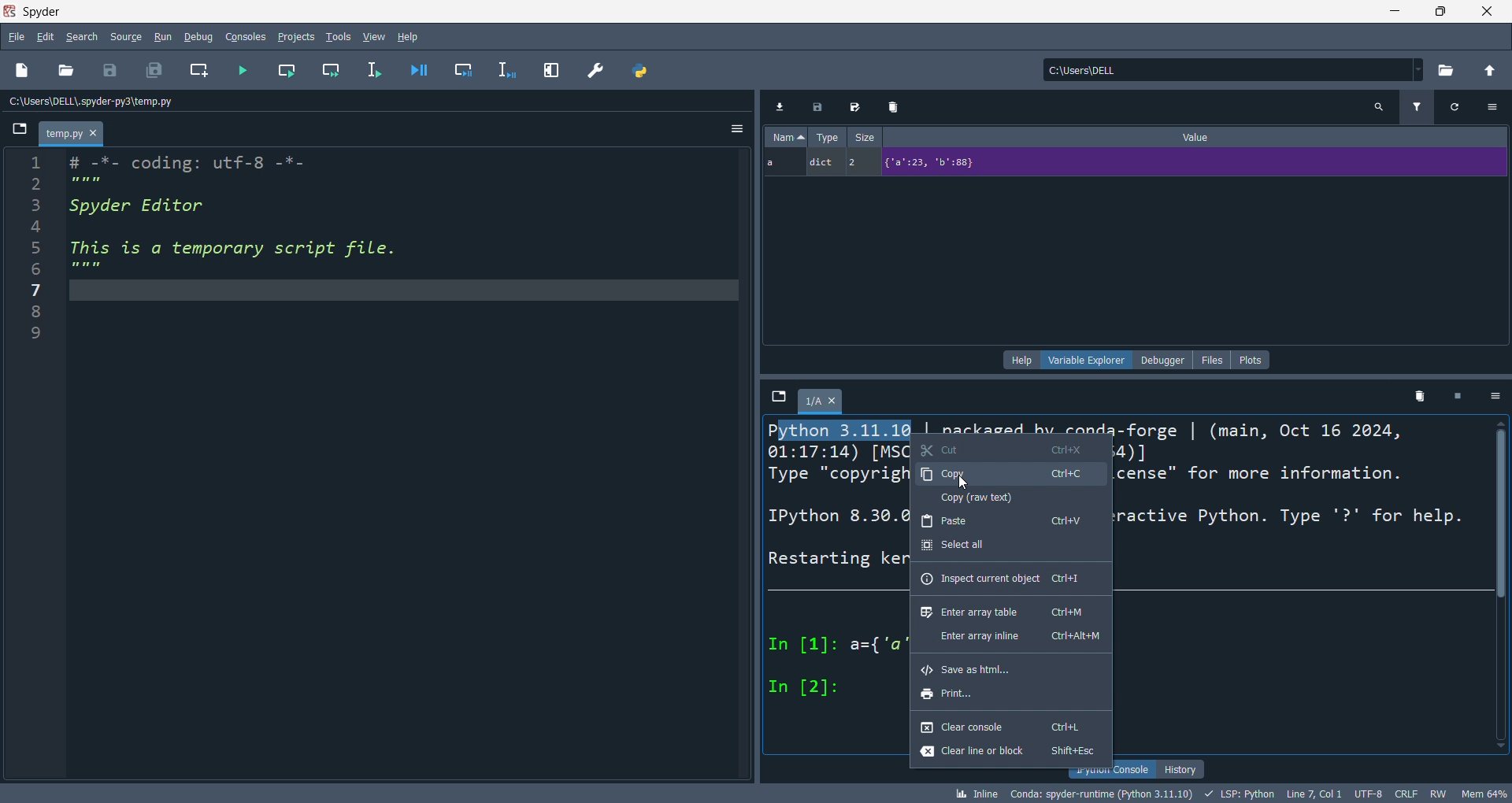 This screenshot has height=803, width=1512. What do you see at coordinates (72, 132) in the screenshot?
I see `temp.py tab` at bounding box center [72, 132].